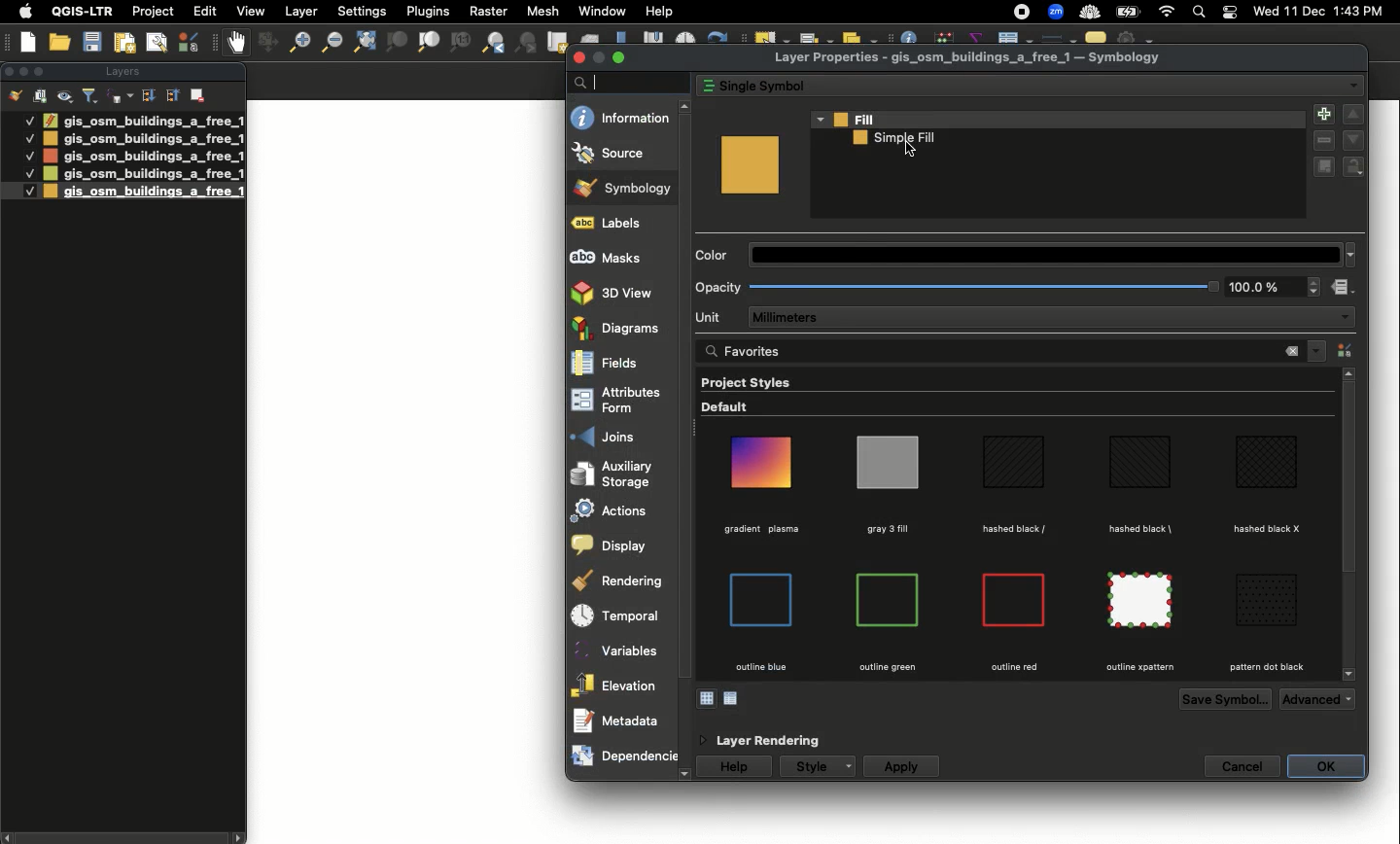 The image size is (1400, 844). What do you see at coordinates (886, 601) in the screenshot?
I see `` at bounding box center [886, 601].